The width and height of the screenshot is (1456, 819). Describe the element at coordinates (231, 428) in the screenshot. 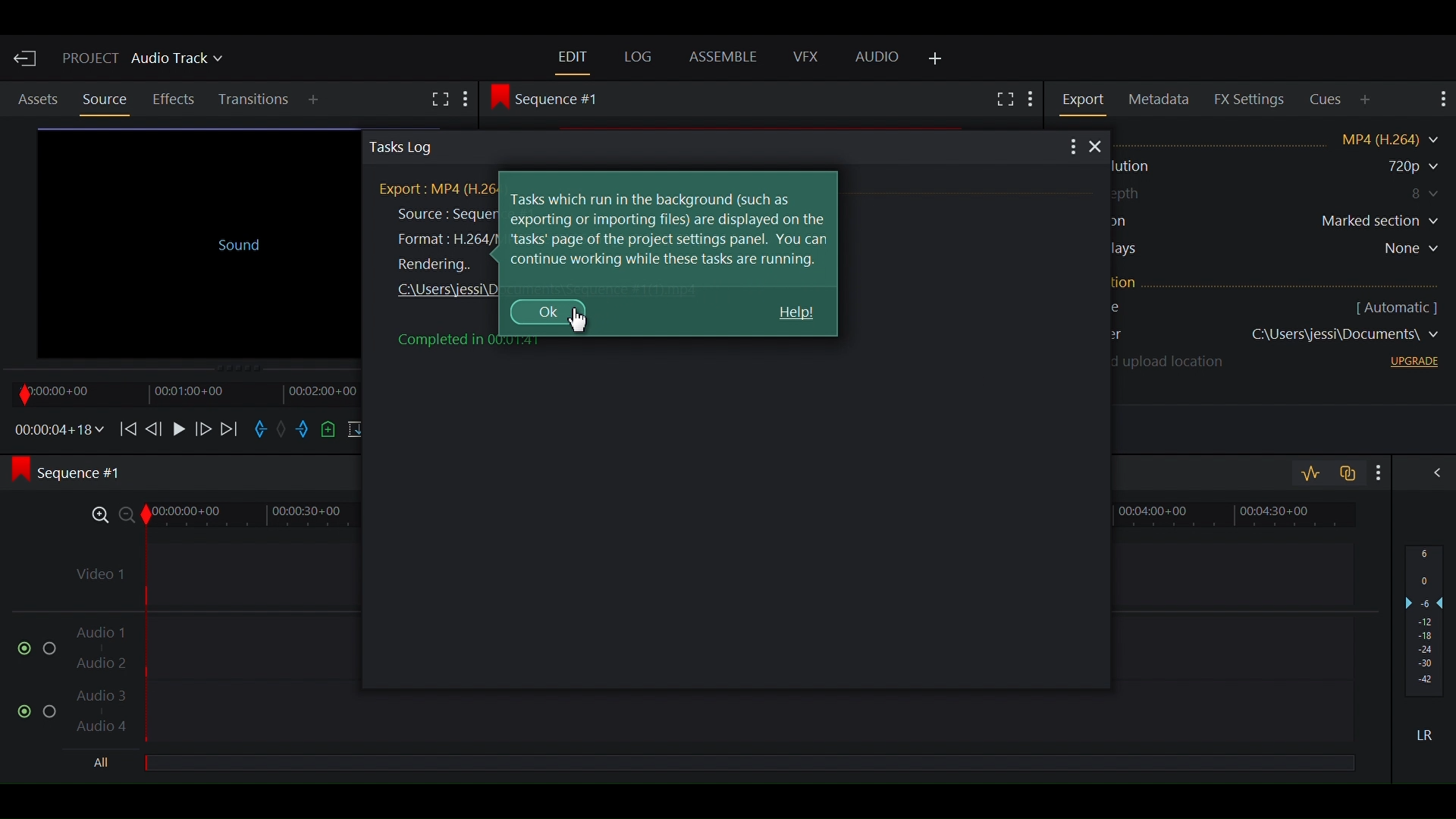

I see `Move Forward` at that location.